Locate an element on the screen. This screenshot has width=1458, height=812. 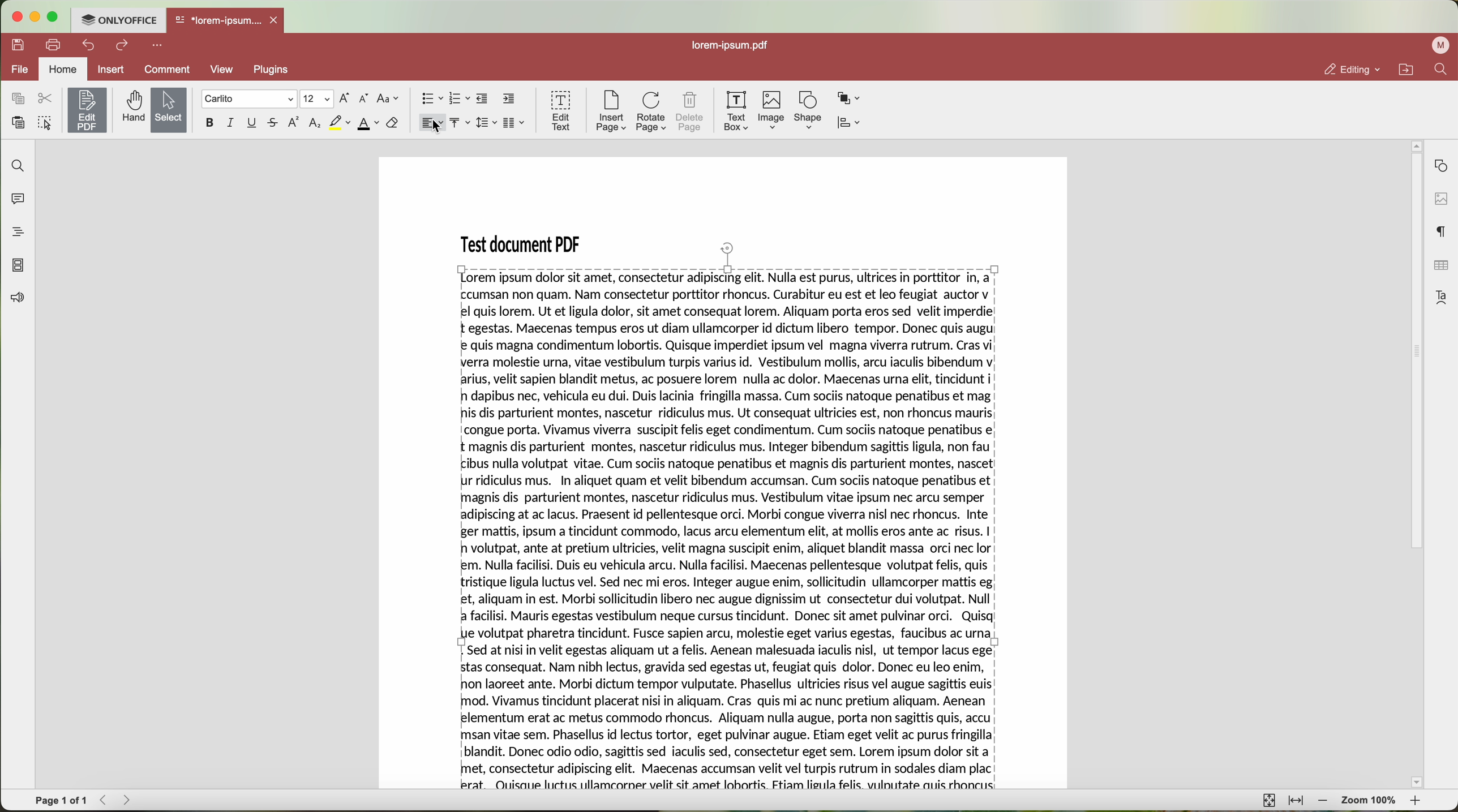
Plugins is located at coordinates (272, 70).